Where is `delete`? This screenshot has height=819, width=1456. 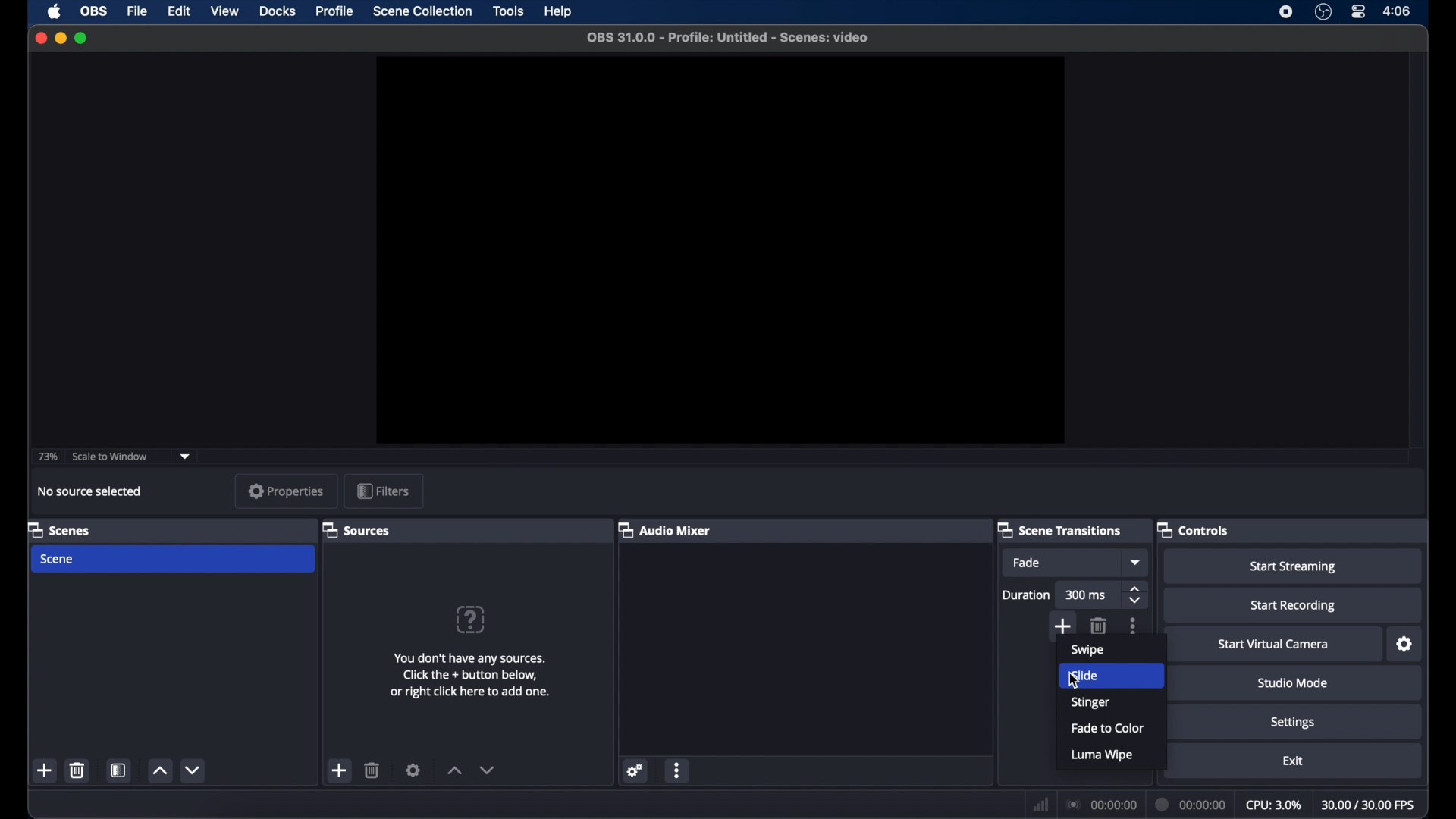 delete is located at coordinates (372, 770).